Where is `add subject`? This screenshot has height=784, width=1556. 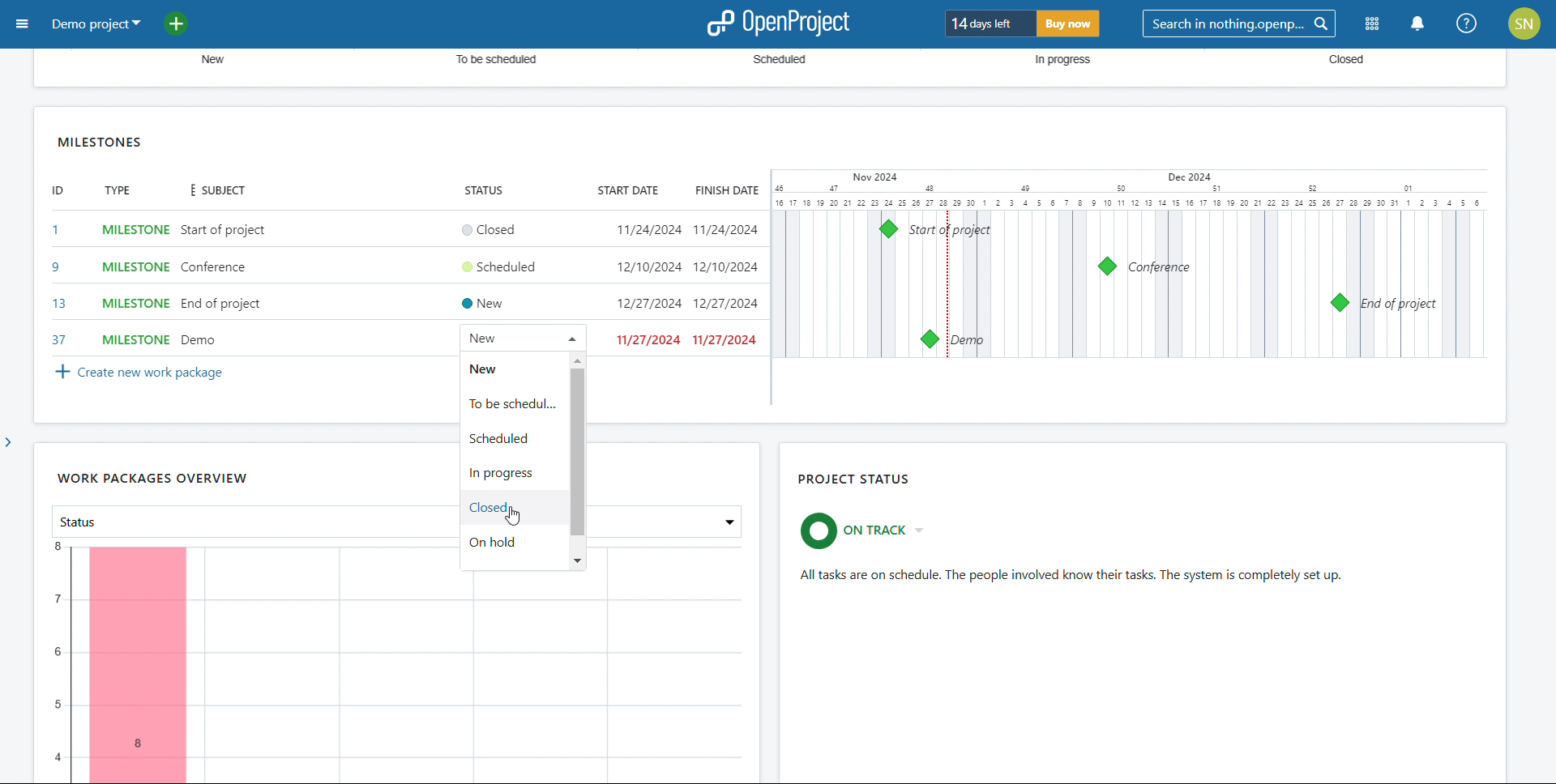 add subject is located at coordinates (224, 286).